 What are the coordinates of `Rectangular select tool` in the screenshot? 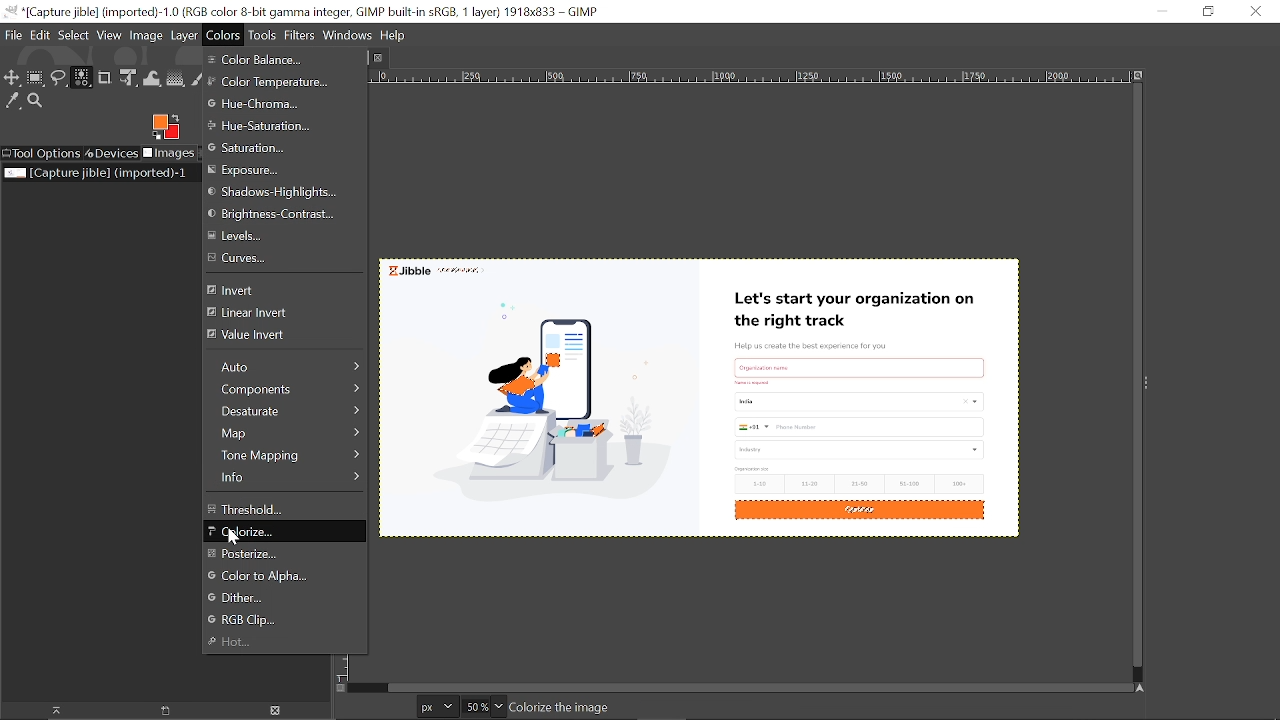 It's located at (36, 80).